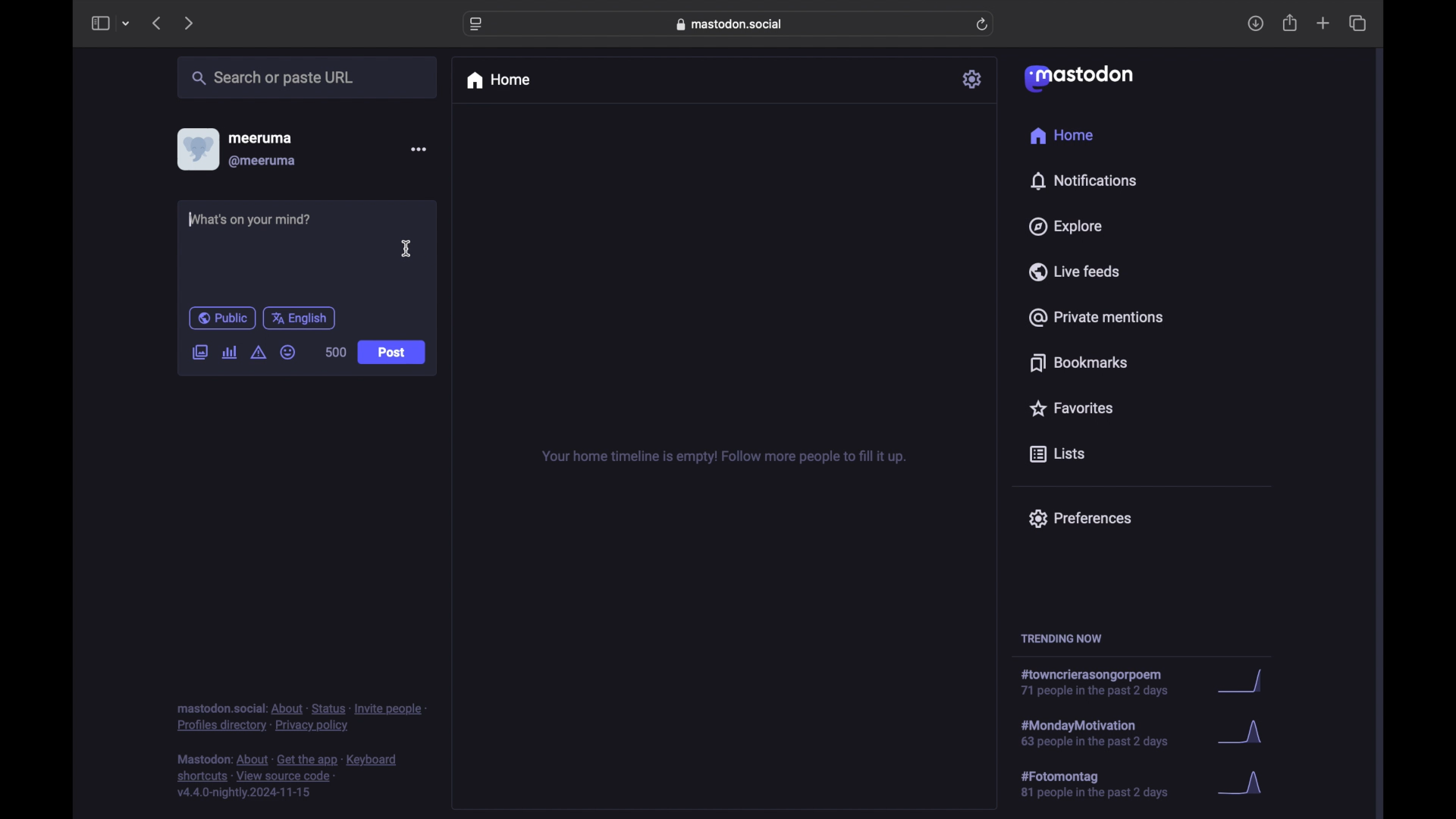 The height and width of the screenshot is (819, 1456). I want to click on next, so click(188, 24).